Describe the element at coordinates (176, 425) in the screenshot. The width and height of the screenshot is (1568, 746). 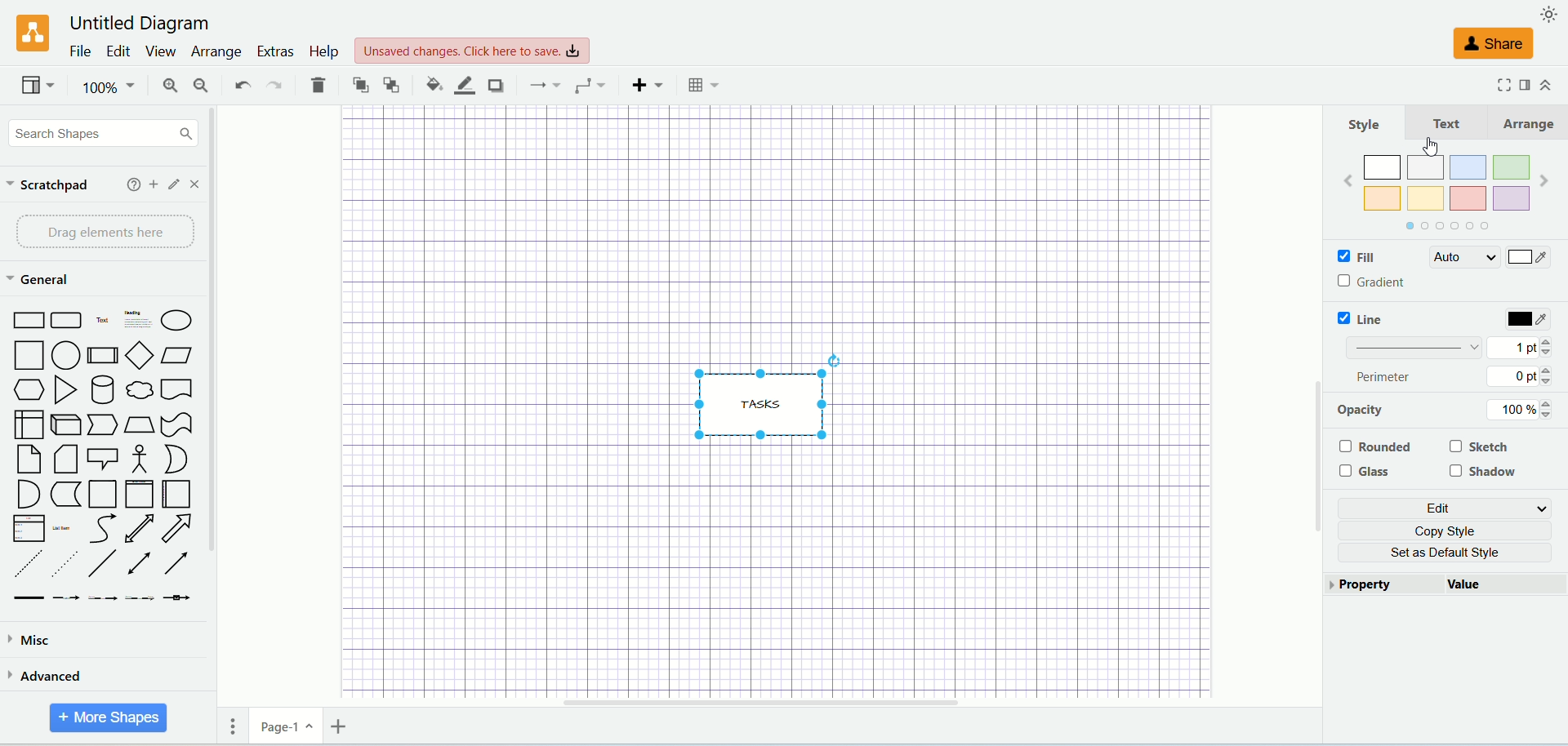
I see `Tape` at that location.